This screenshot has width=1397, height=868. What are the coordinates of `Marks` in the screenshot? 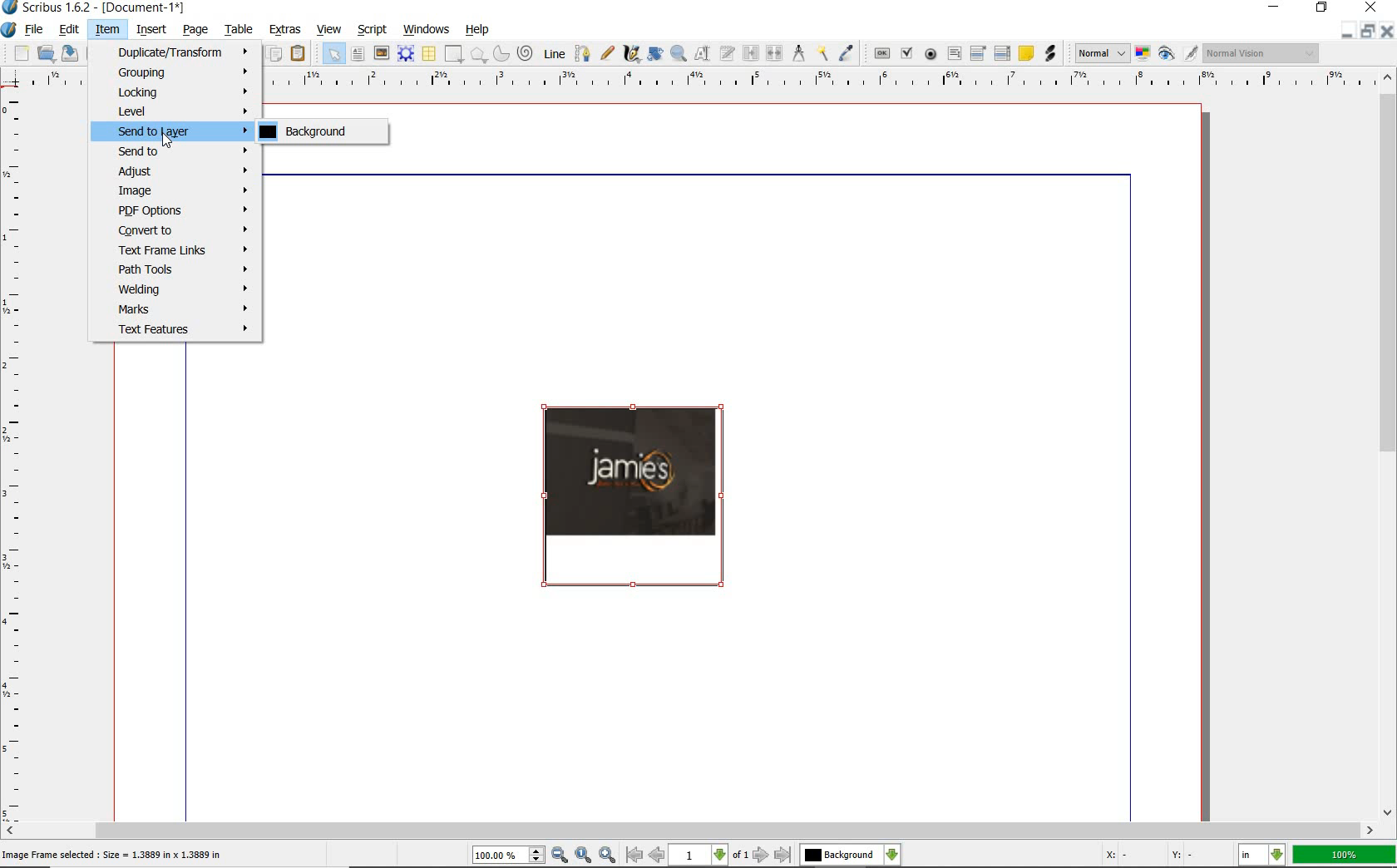 It's located at (176, 310).